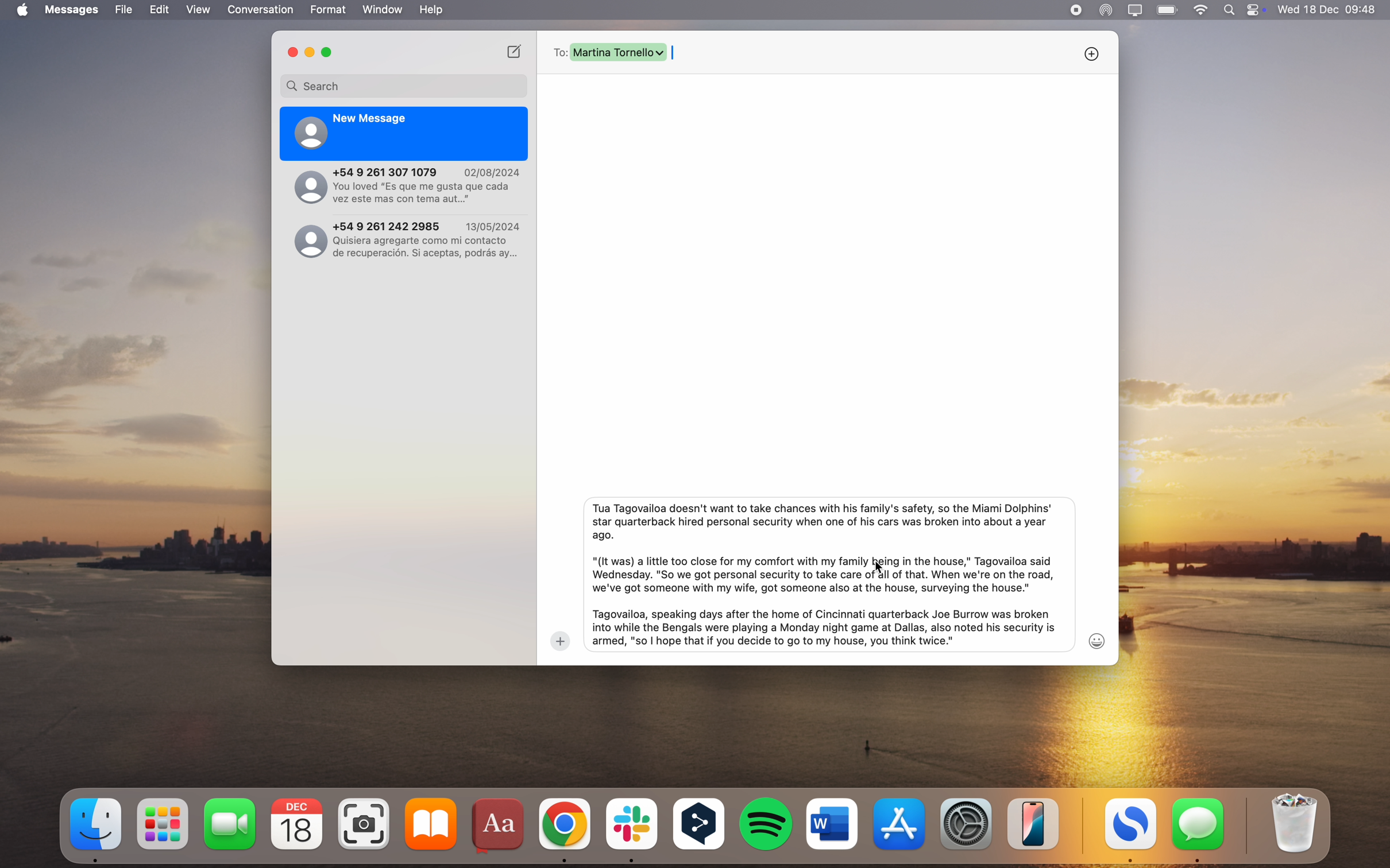 The width and height of the screenshot is (1390, 868). I want to click on calendar, so click(297, 824).